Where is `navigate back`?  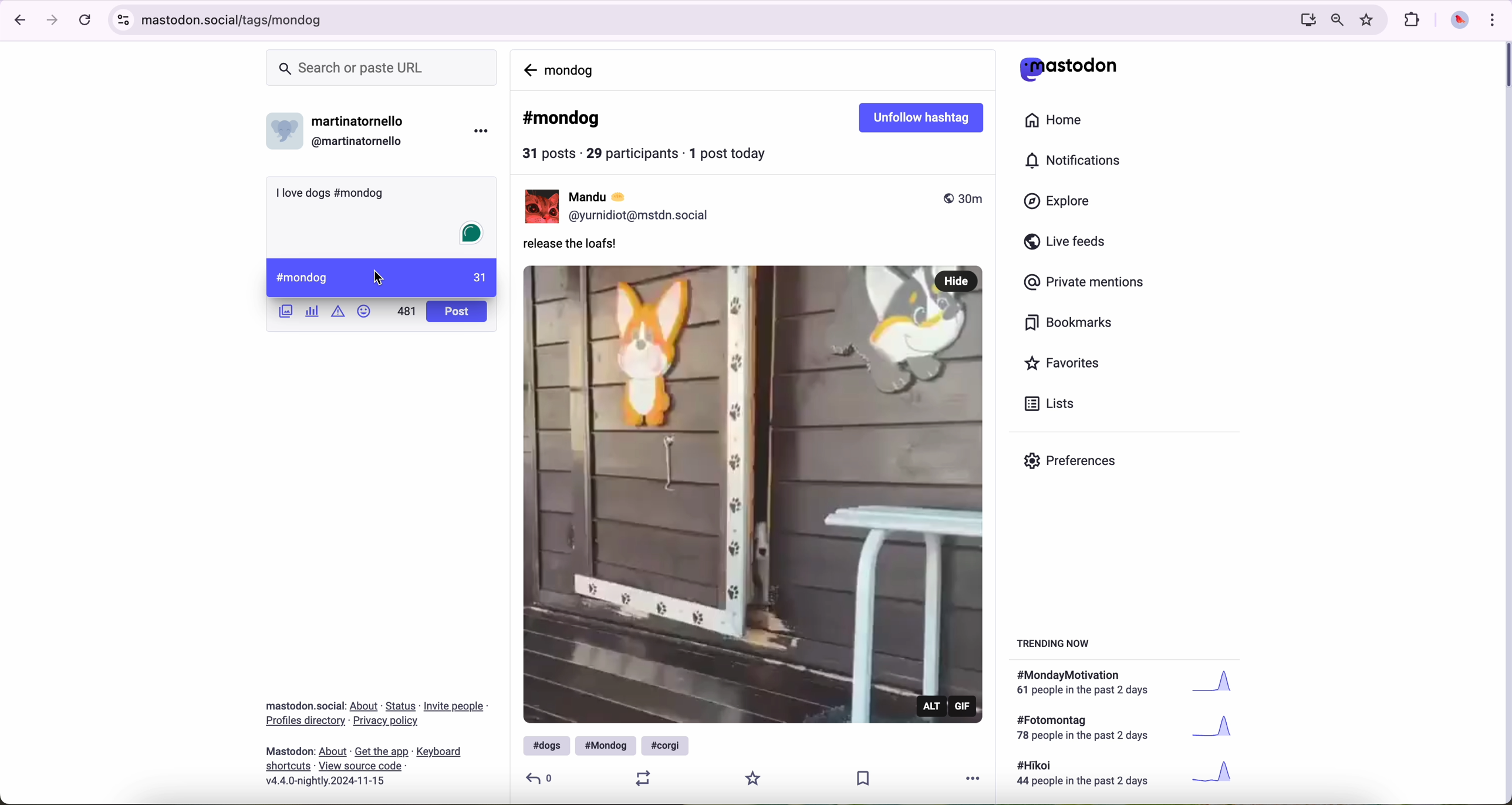
navigate back is located at coordinates (18, 21).